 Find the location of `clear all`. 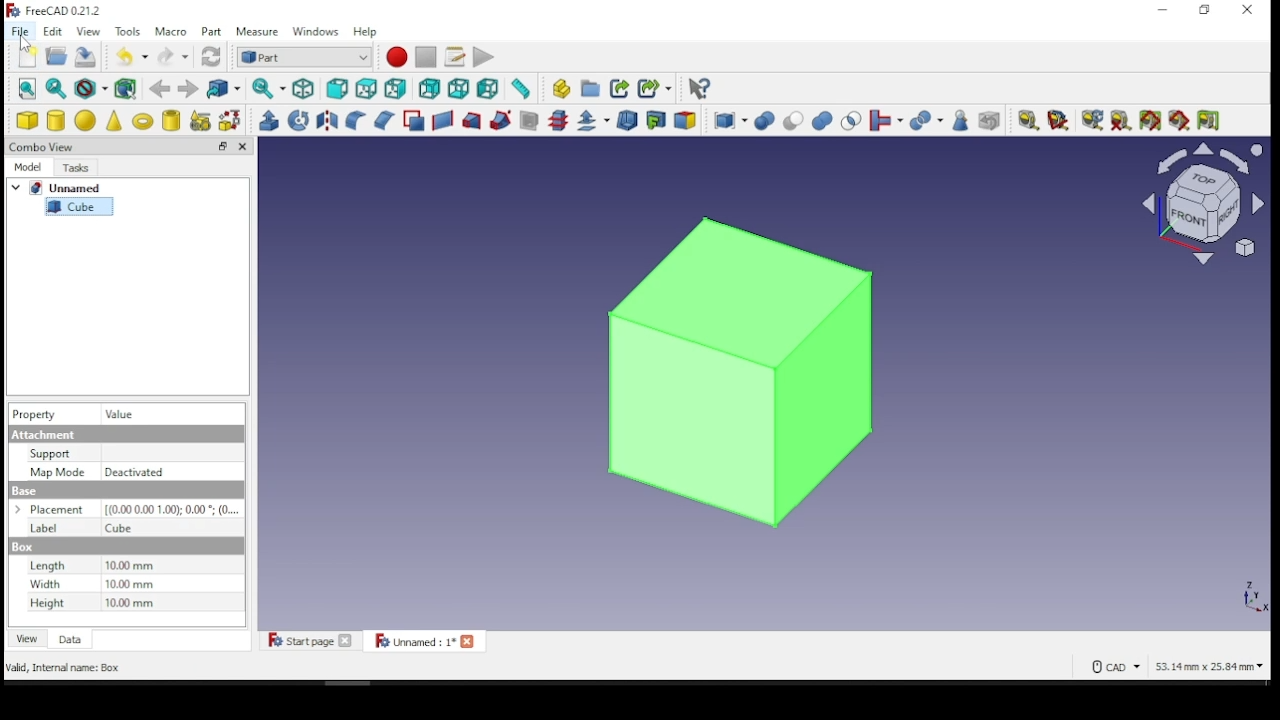

clear all is located at coordinates (1120, 119).